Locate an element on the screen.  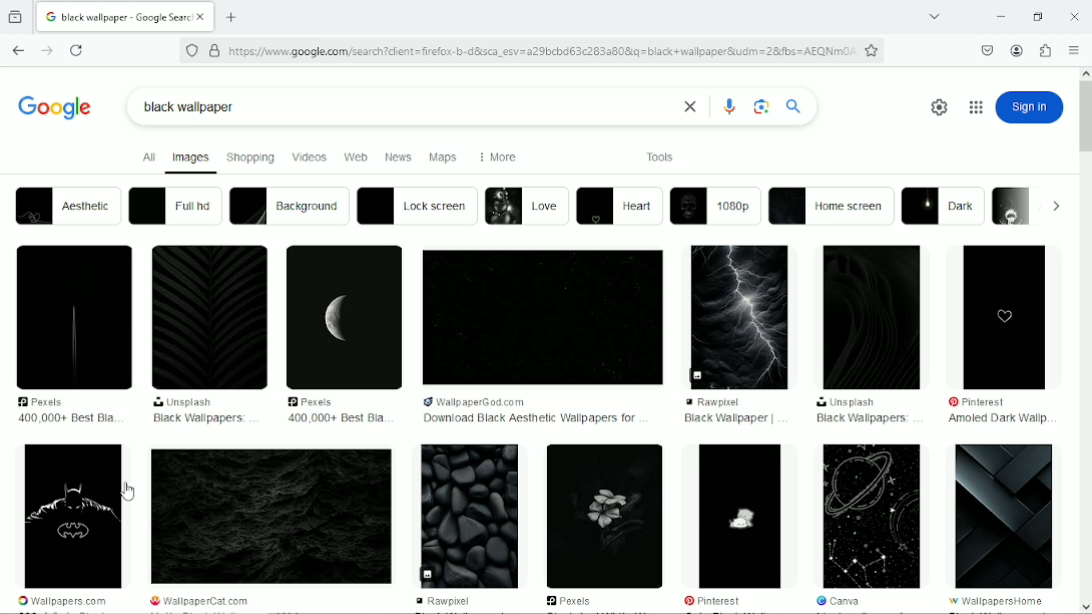
pinterest is located at coordinates (716, 600).